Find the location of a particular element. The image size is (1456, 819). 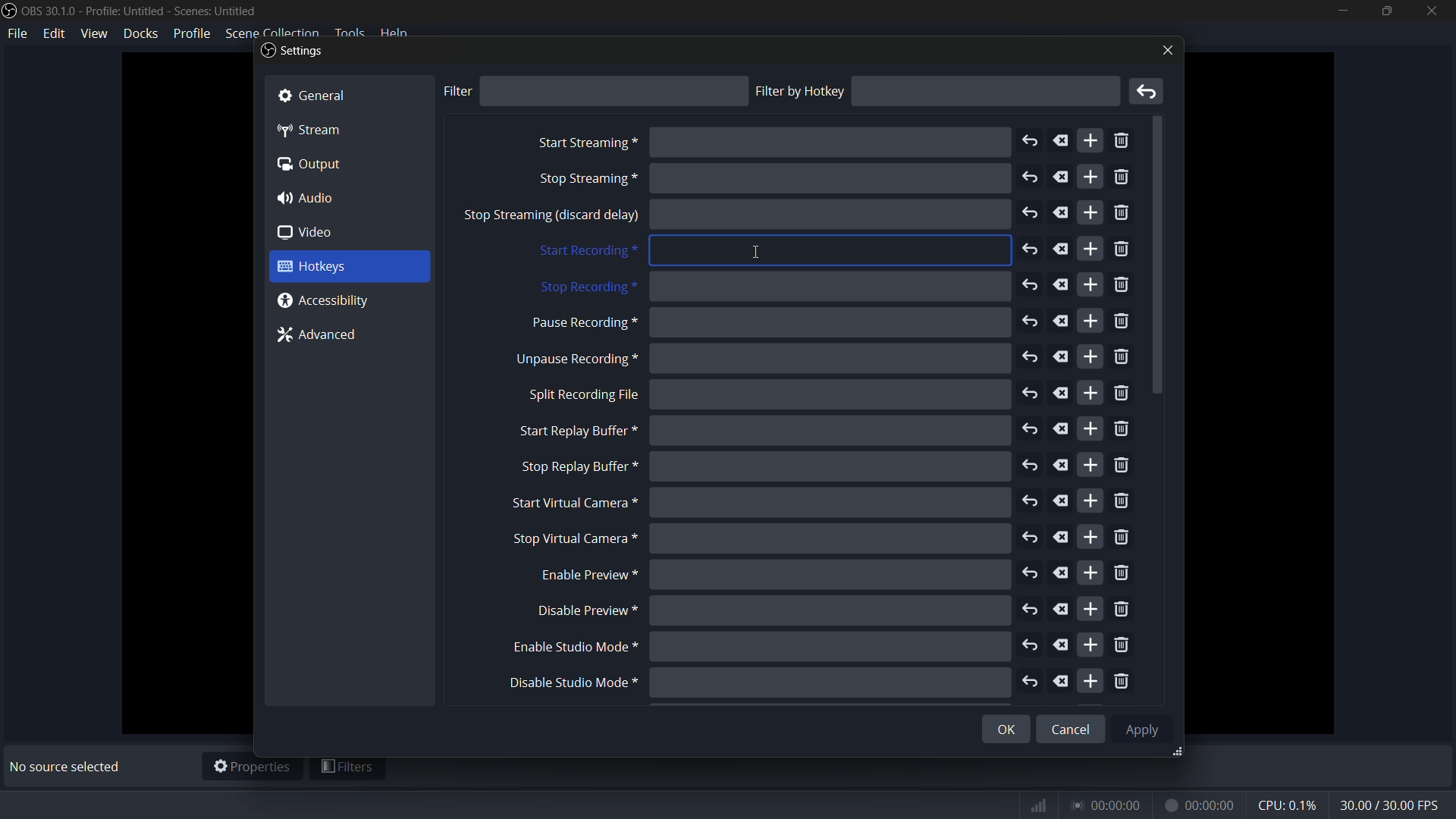

add more is located at coordinates (1090, 465).